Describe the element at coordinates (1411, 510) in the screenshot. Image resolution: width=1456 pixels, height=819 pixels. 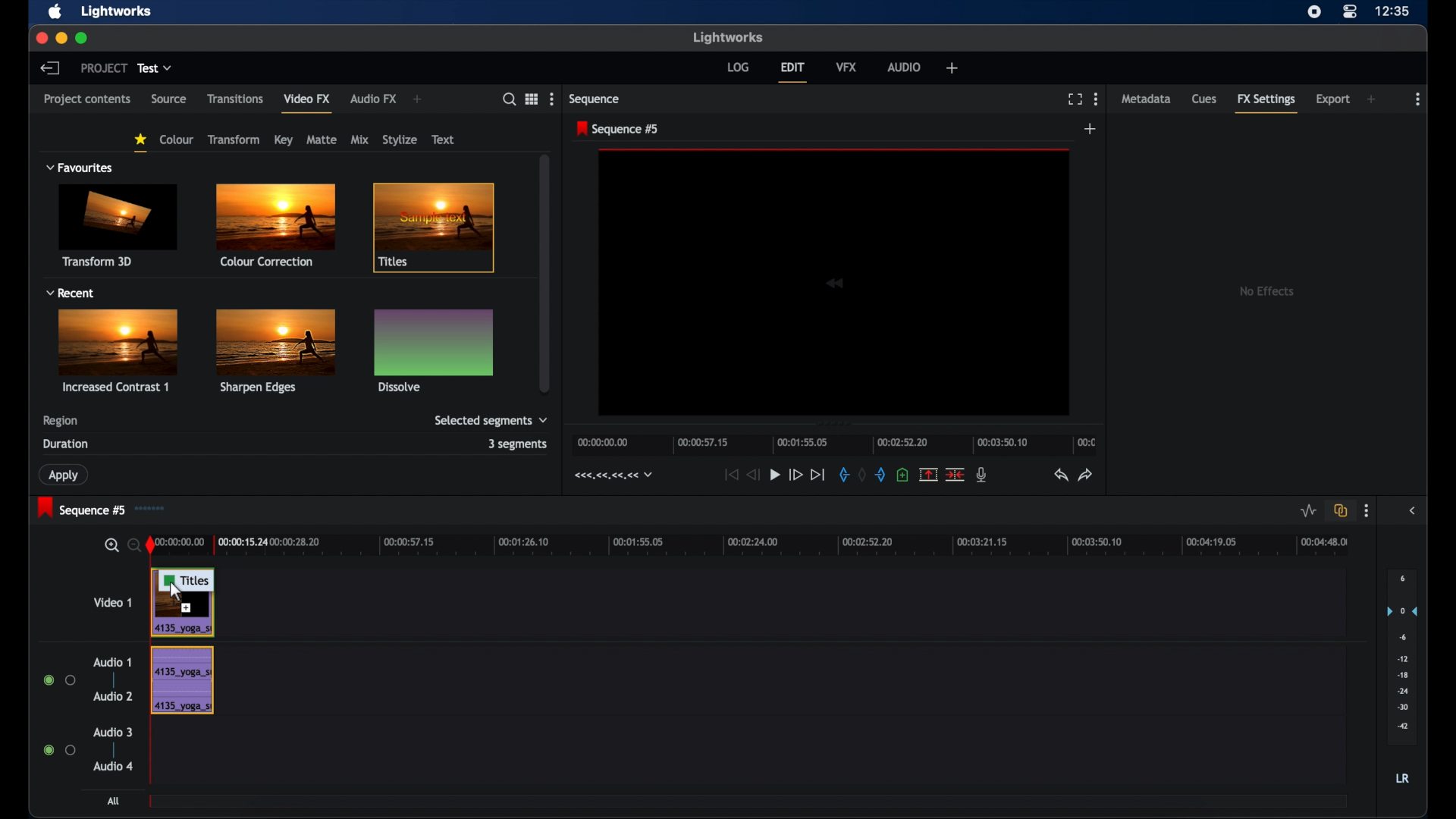
I see `sidebar` at that location.